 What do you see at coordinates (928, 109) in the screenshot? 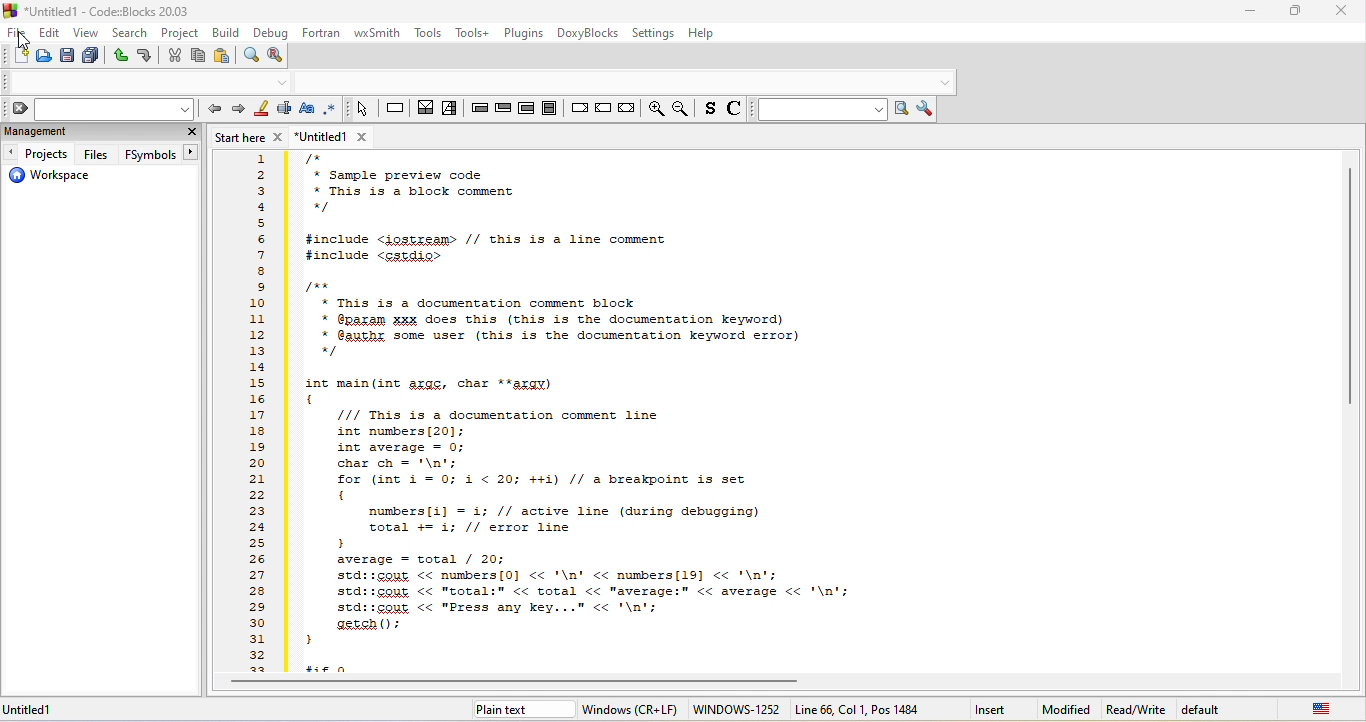
I see `show option window` at bounding box center [928, 109].